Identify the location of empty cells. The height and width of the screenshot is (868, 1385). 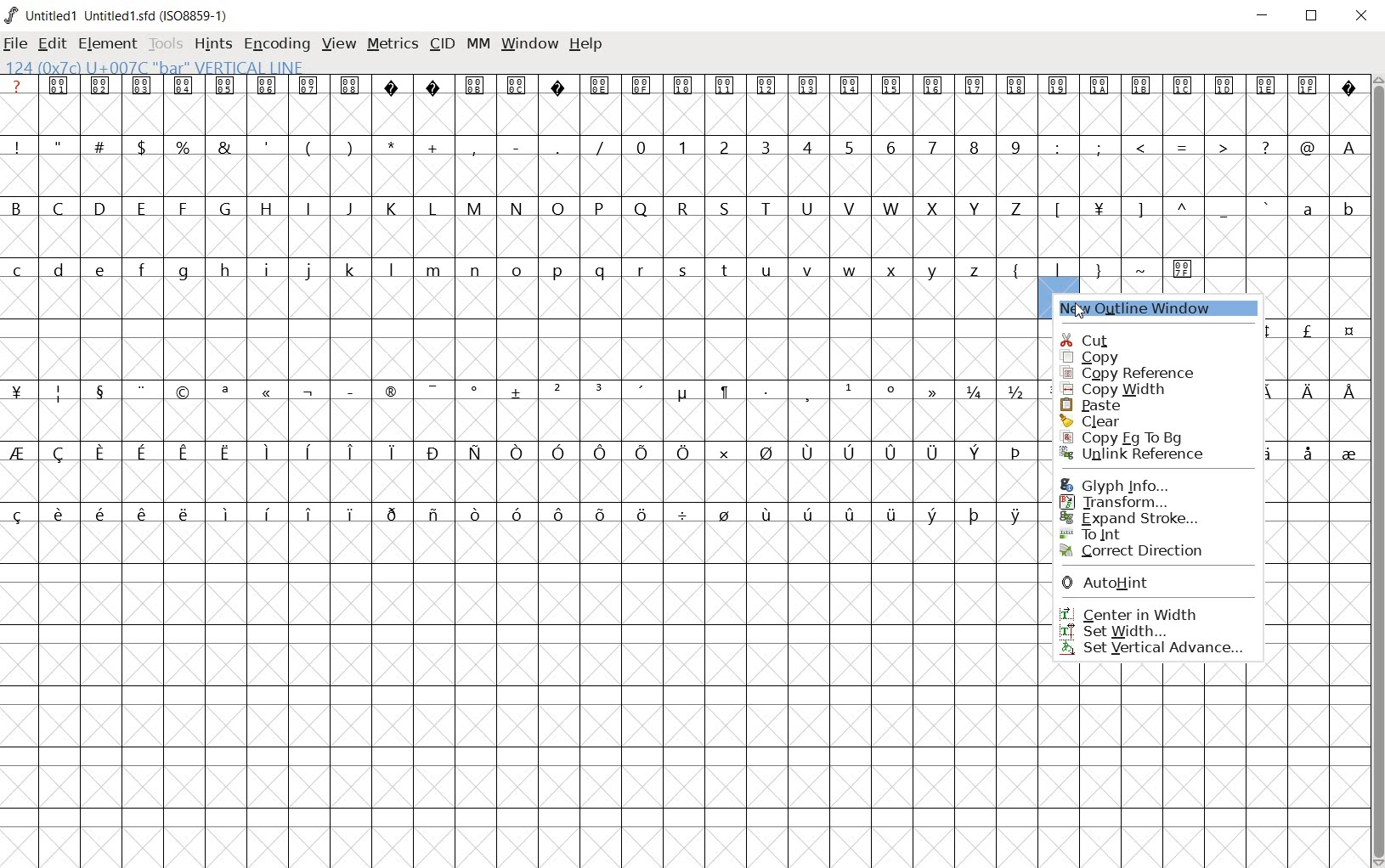
(523, 420).